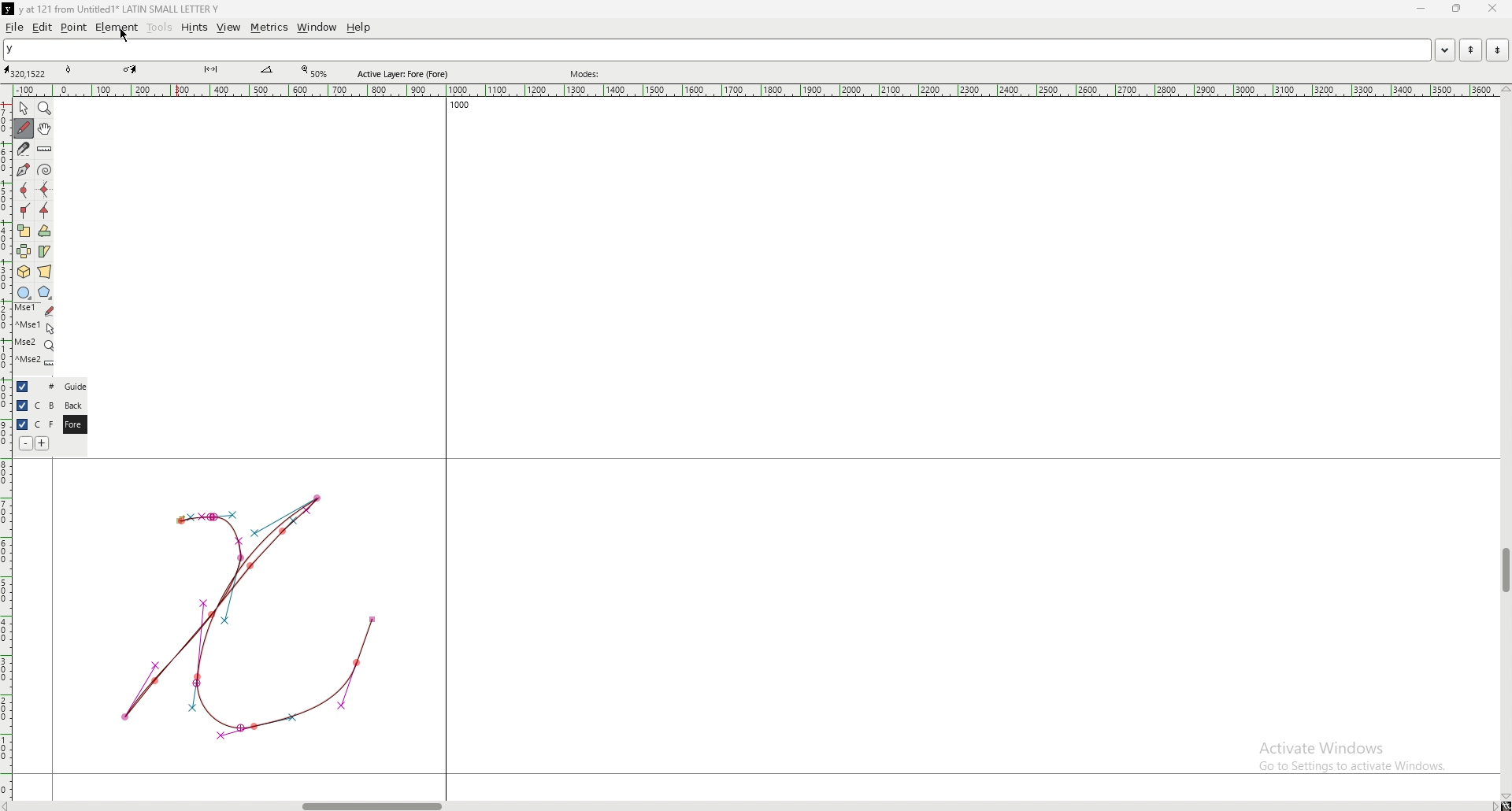 Image resolution: width=1512 pixels, height=811 pixels. Describe the element at coordinates (209, 70) in the screenshot. I see `knife tool` at that location.